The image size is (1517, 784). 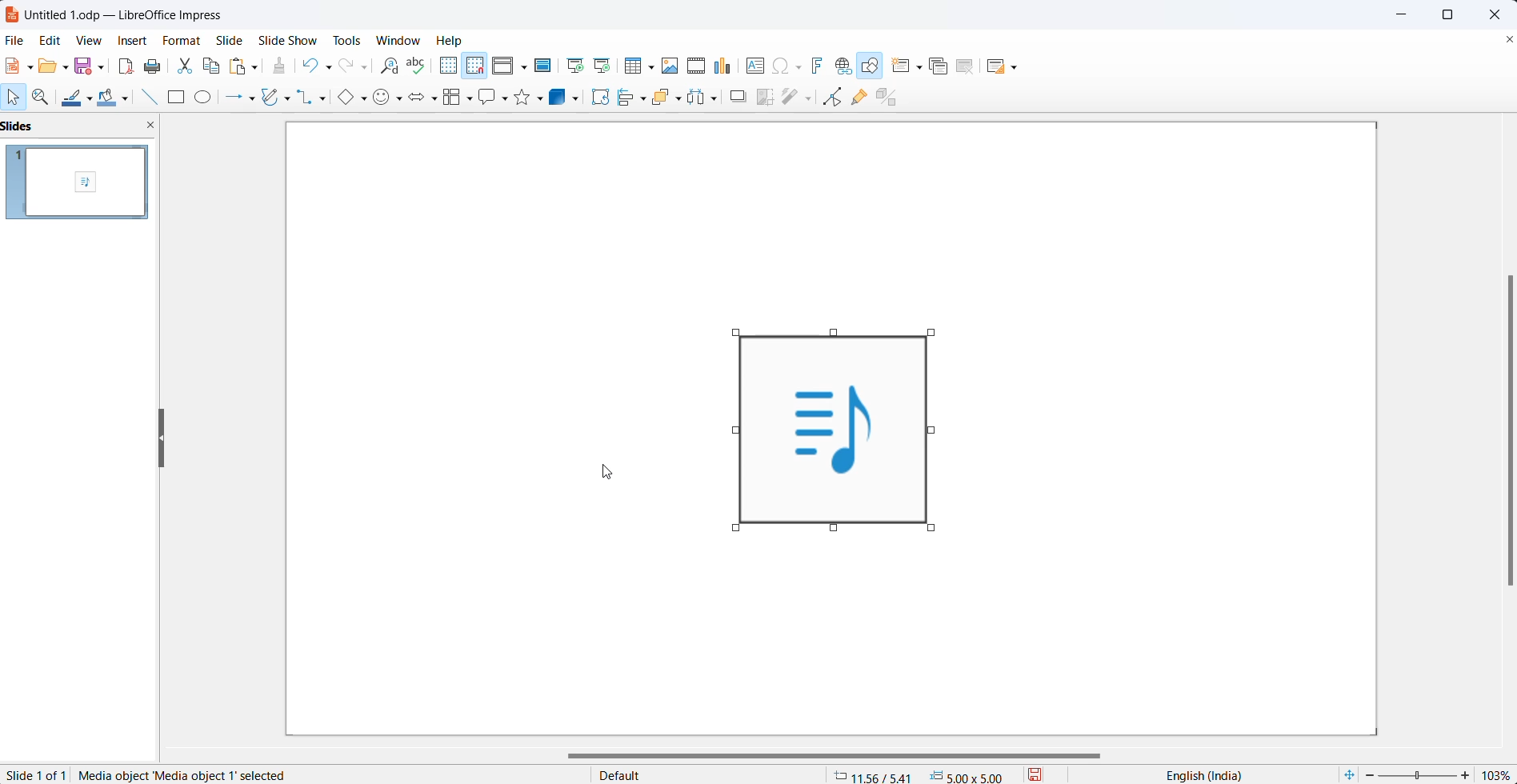 What do you see at coordinates (899, 66) in the screenshot?
I see `new slide` at bounding box center [899, 66].